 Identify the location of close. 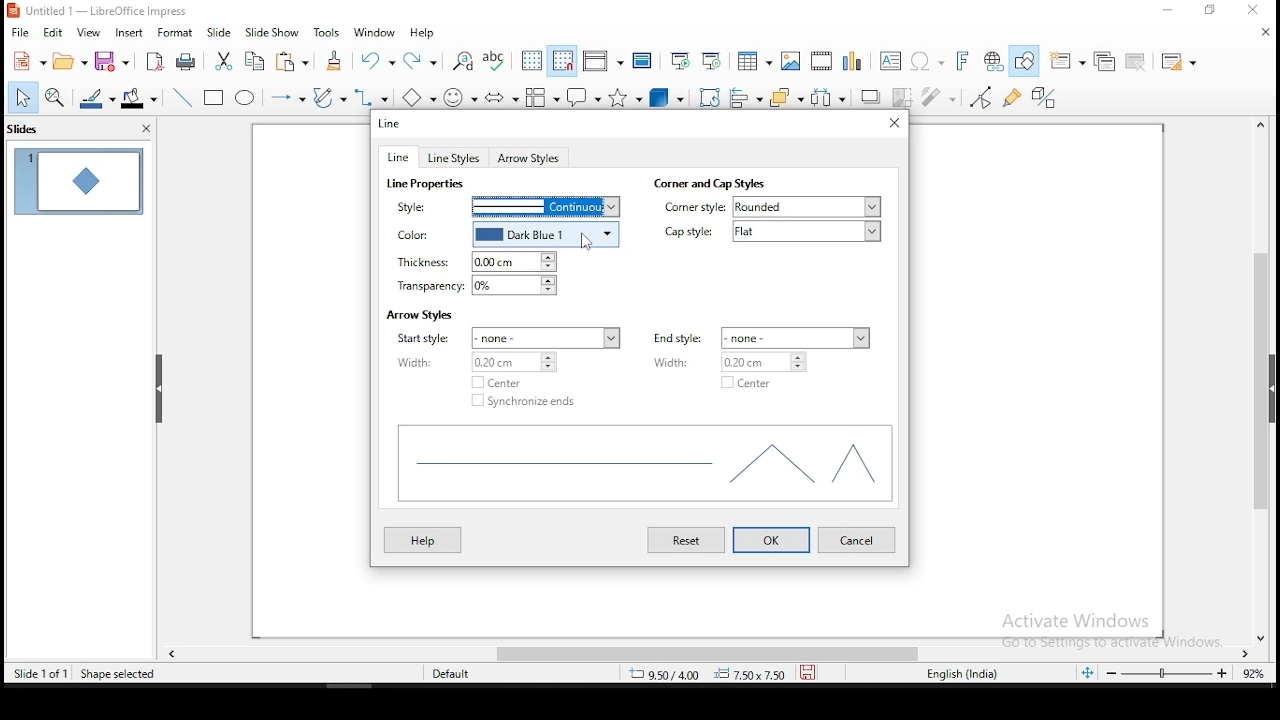
(1265, 633).